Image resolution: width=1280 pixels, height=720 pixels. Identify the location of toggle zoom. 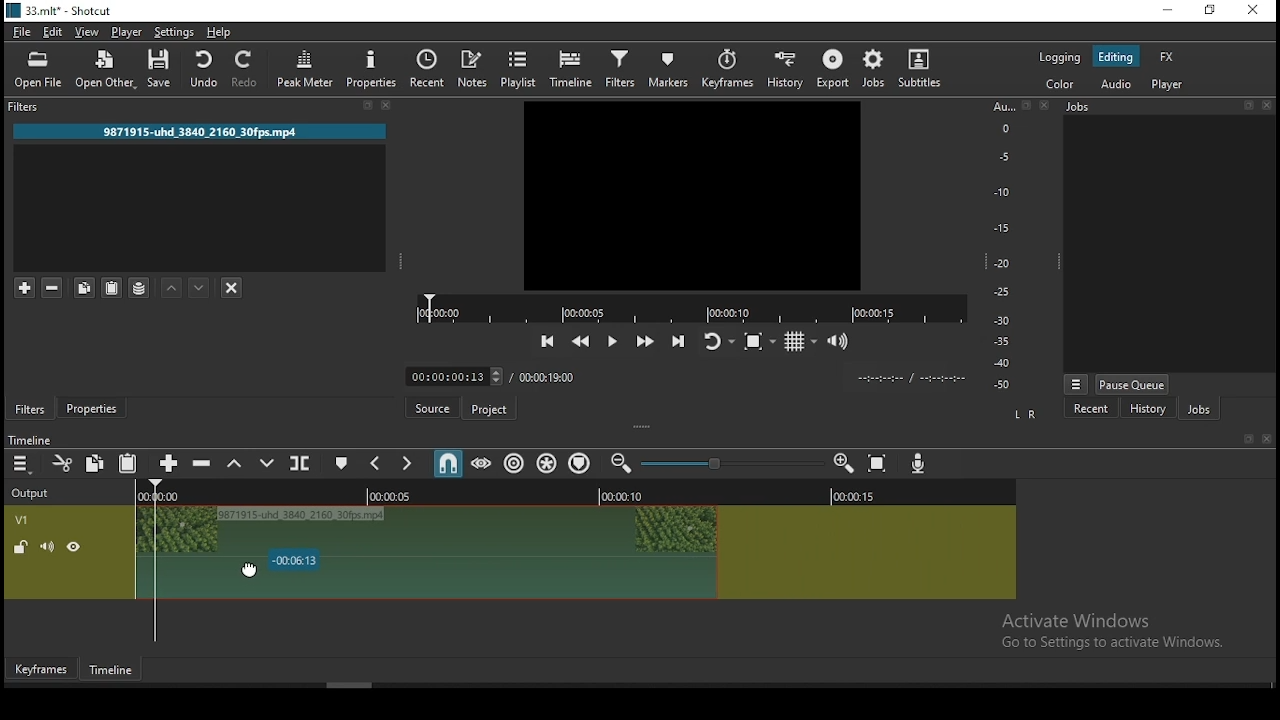
(759, 340).